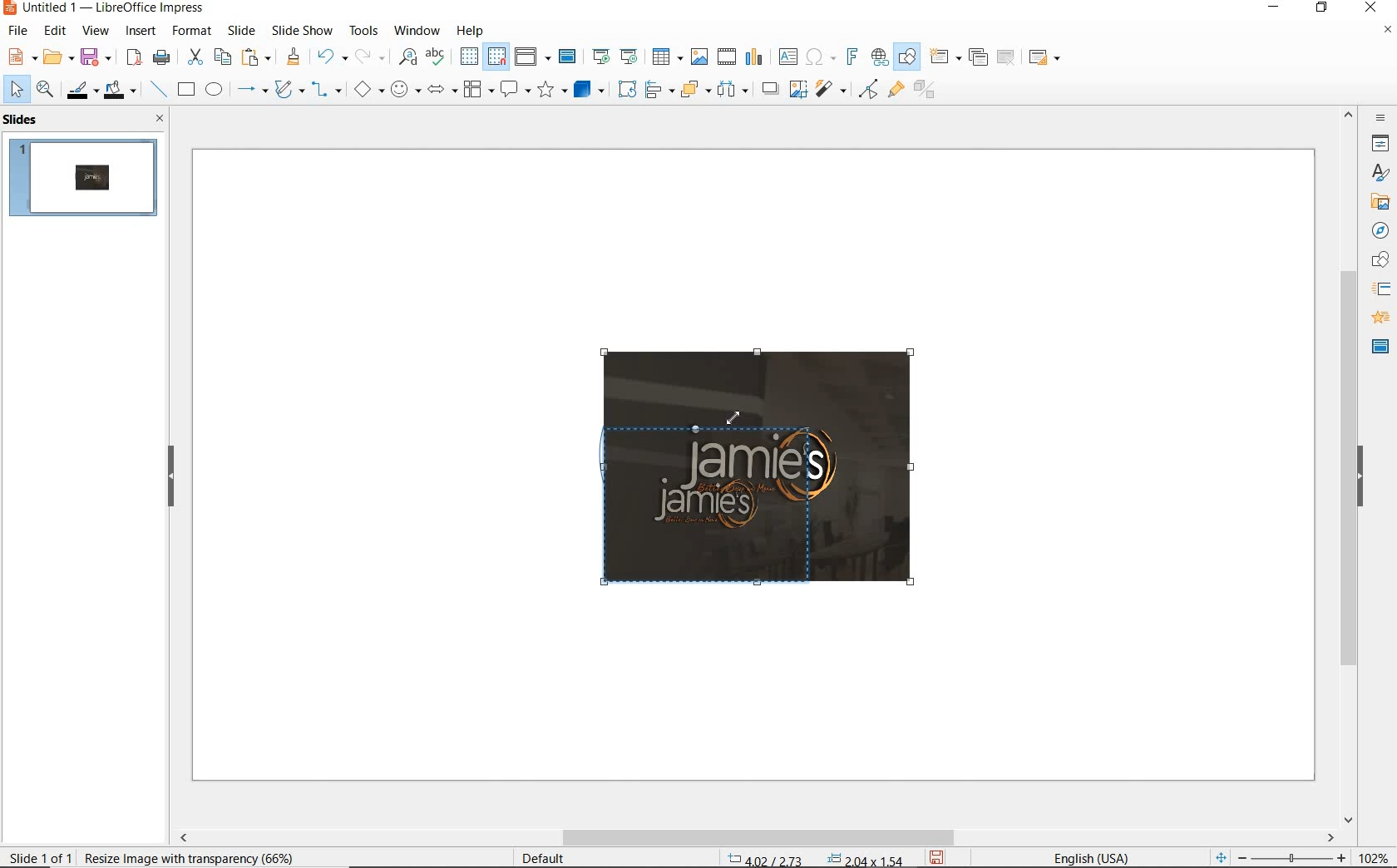  What do you see at coordinates (86, 180) in the screenshot?
I see `slide 1` at bounding box center [86, 180].